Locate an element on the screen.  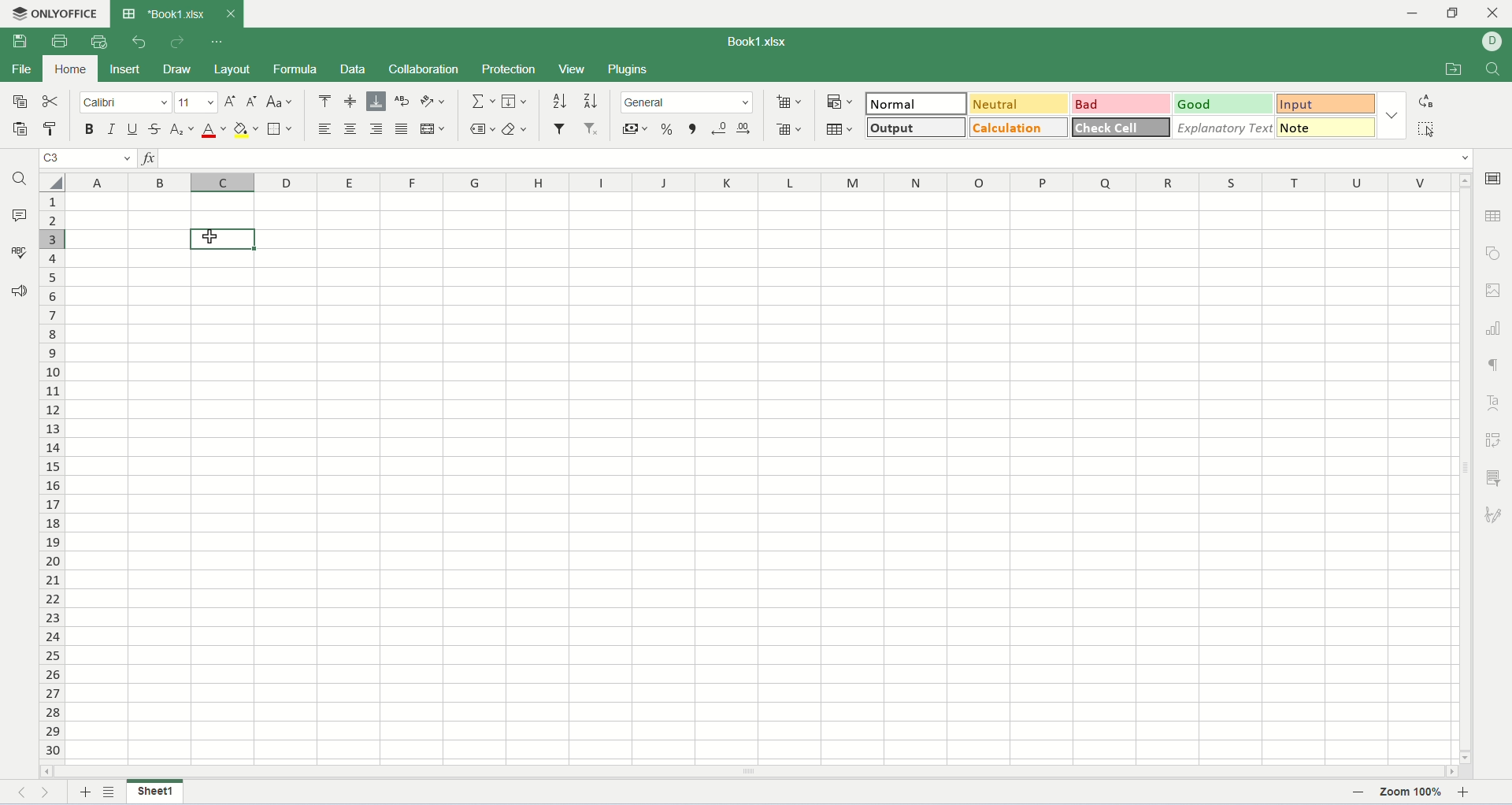
number format is located at coordinates (689, 103).